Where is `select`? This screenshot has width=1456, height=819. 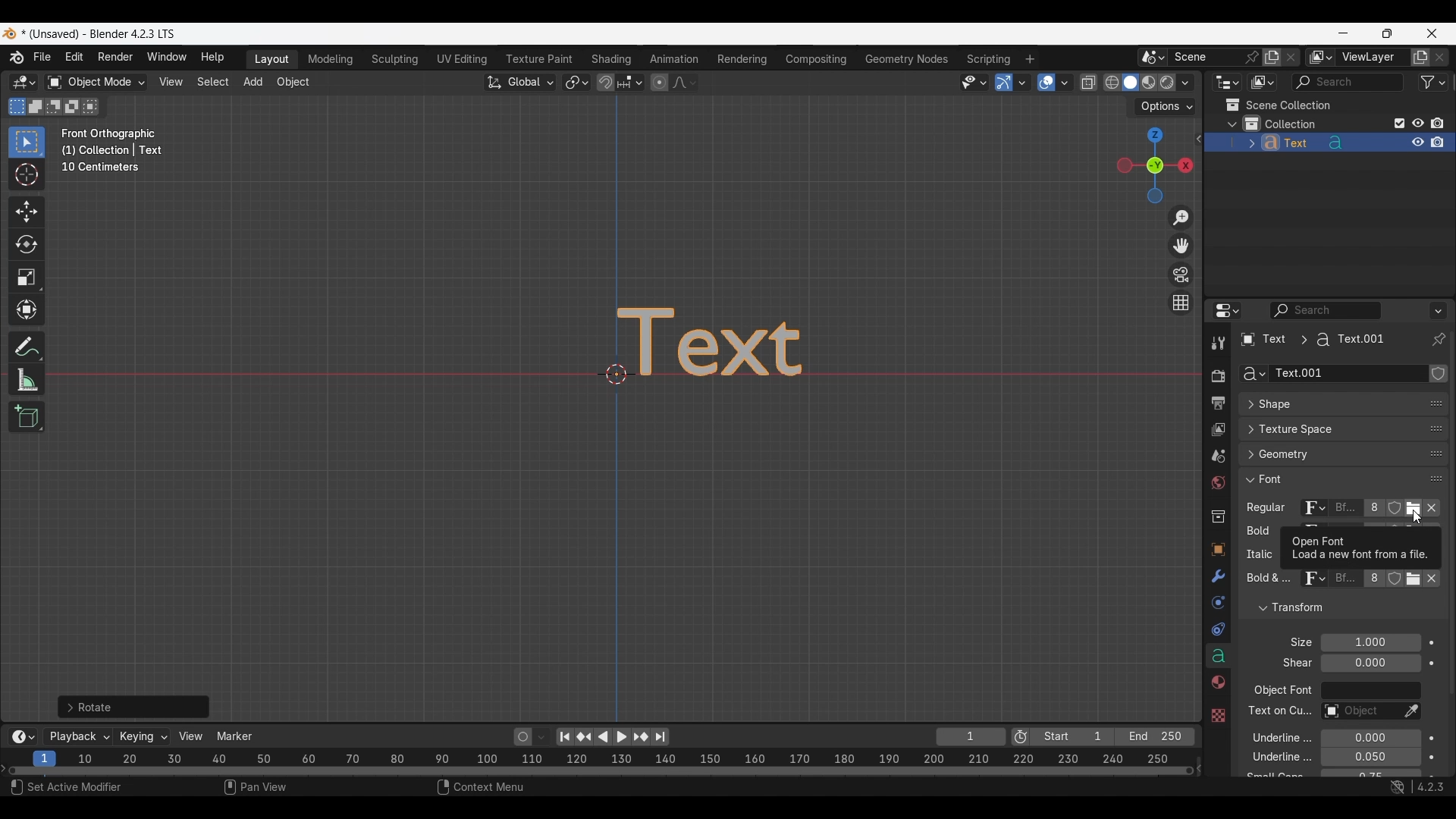
select is located at coordinates (93, 106).